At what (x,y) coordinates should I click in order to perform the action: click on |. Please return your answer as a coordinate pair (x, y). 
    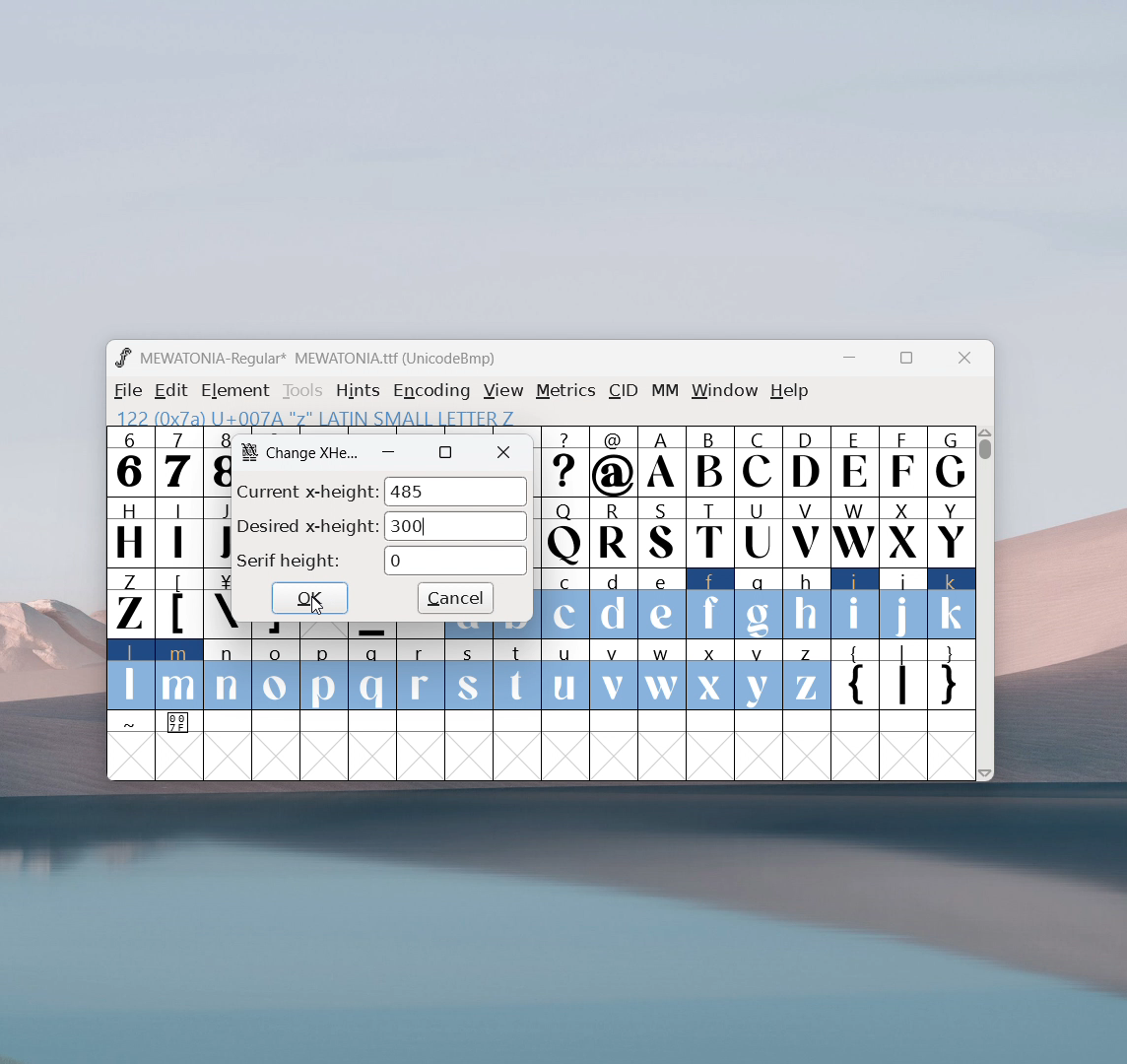
    Looking at the image, I should click on (903, 677).